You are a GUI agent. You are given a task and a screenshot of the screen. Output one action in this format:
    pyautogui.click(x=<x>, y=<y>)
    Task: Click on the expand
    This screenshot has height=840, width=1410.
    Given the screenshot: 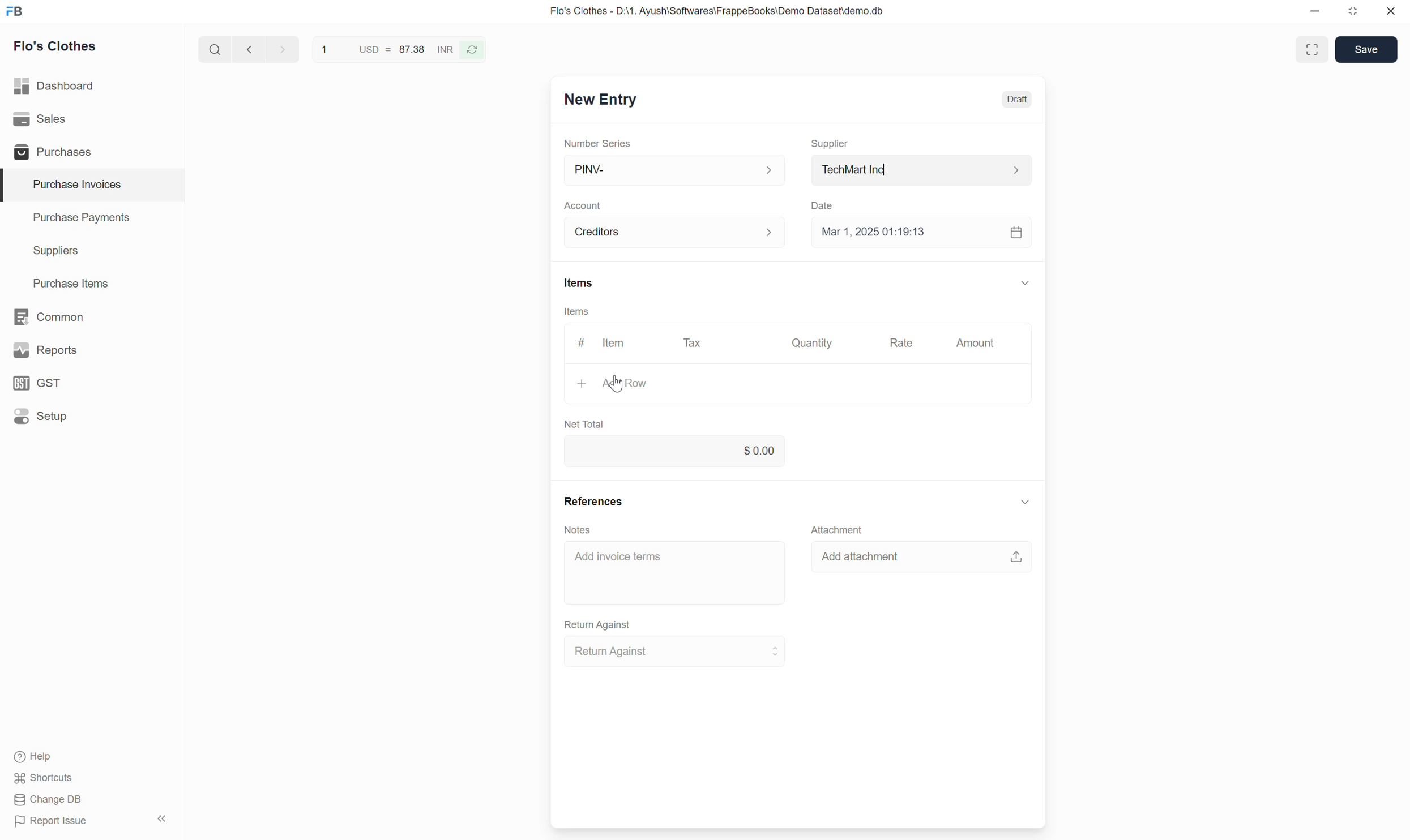 What is the action you would take?
    pyautogui.click(x=1026, y=282)
    